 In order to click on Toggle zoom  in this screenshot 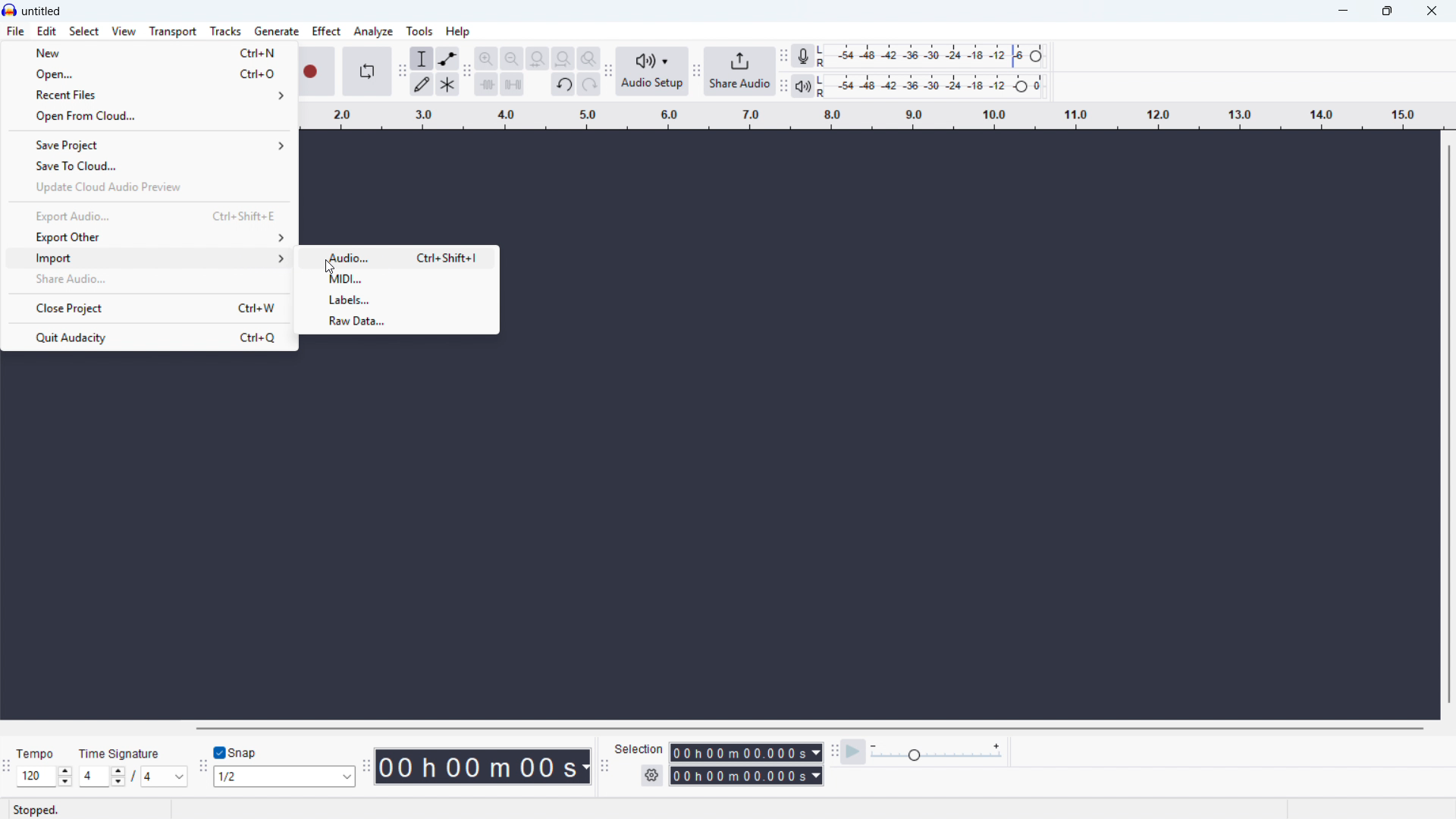, I will do `click(588, 58)`.